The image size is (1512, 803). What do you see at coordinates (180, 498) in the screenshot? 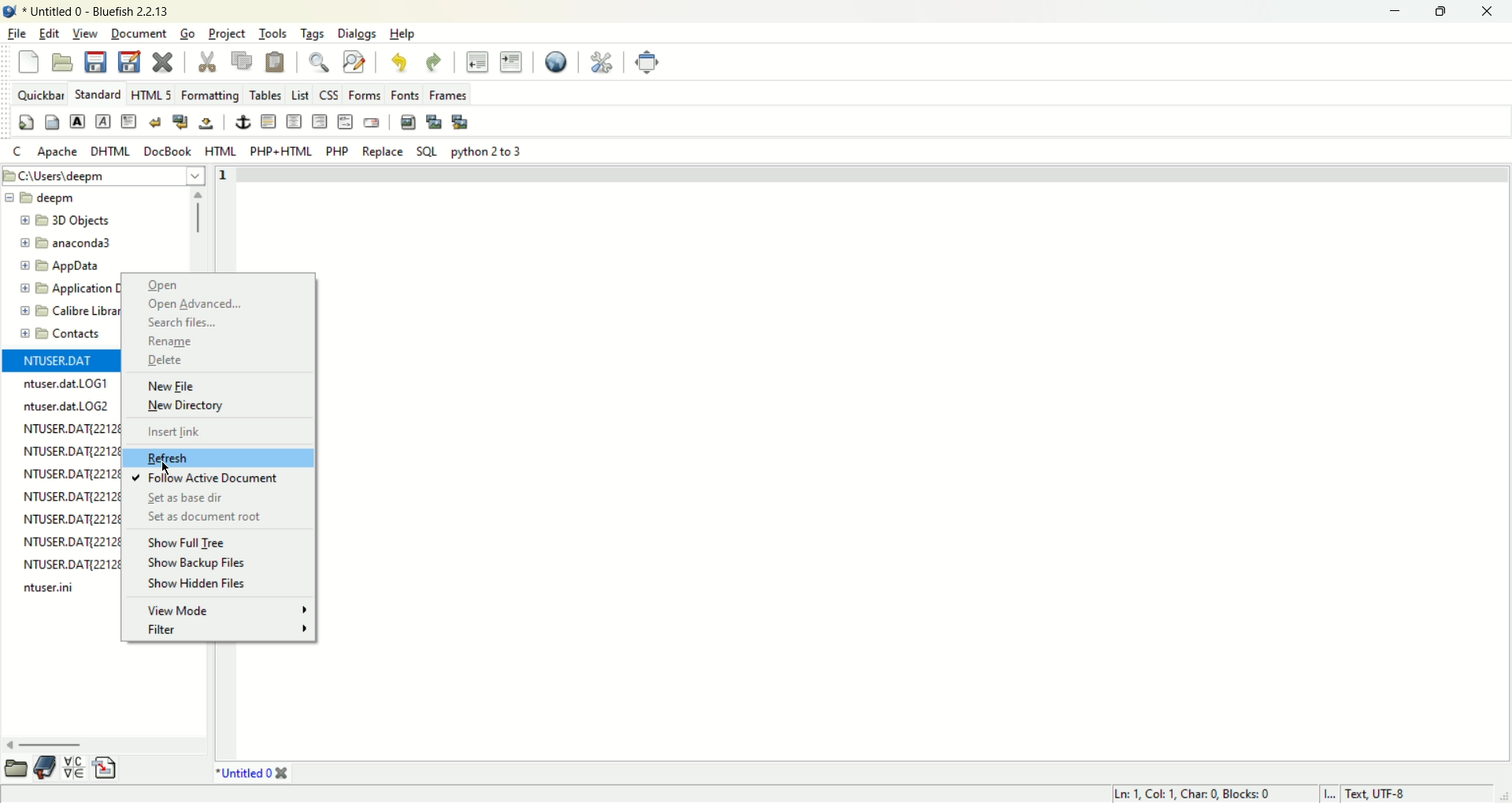
I see `set as base dir` at bounding box center [180, 498].